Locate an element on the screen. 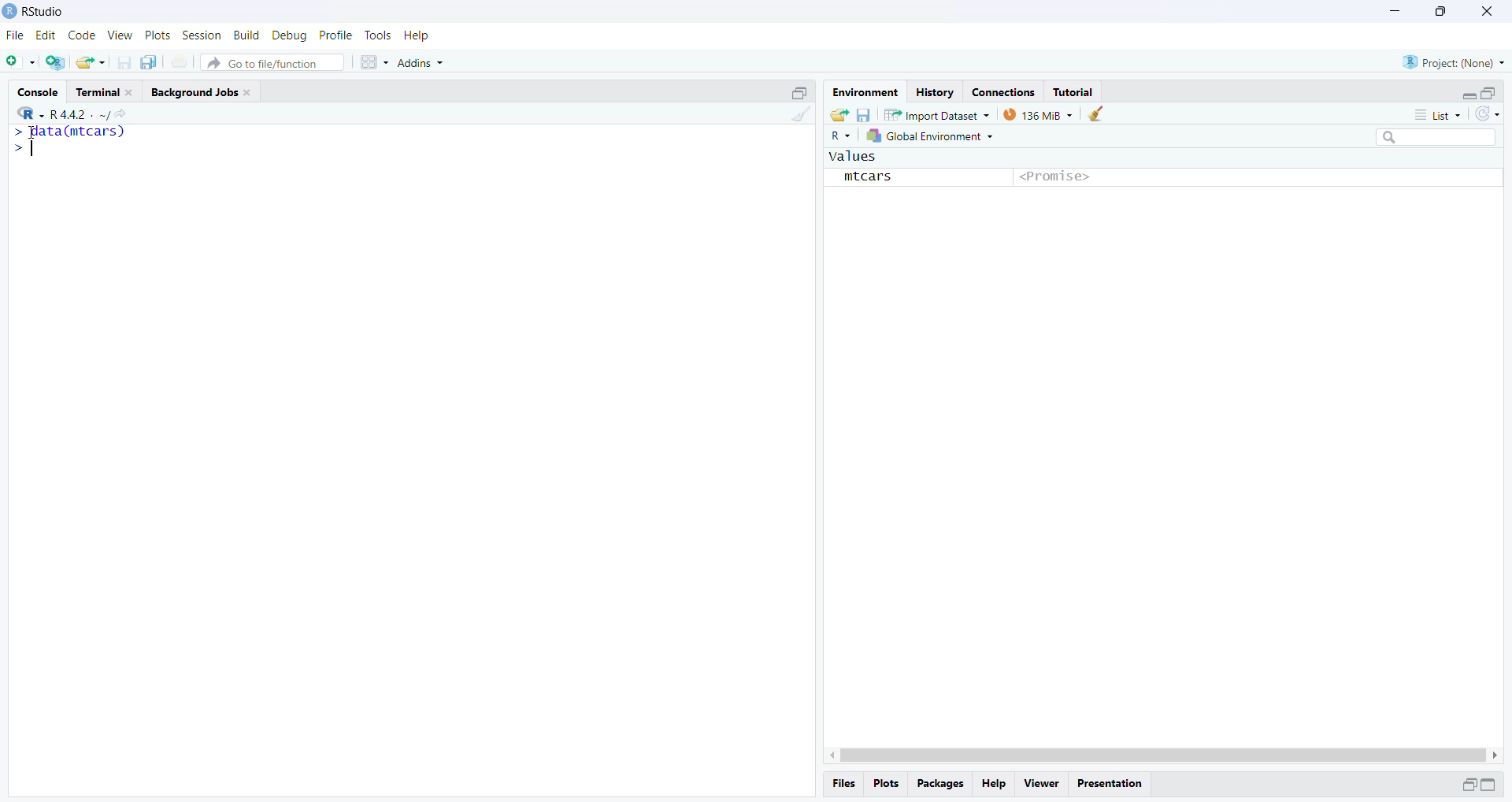  Tools is located at coordinates (378, 35).